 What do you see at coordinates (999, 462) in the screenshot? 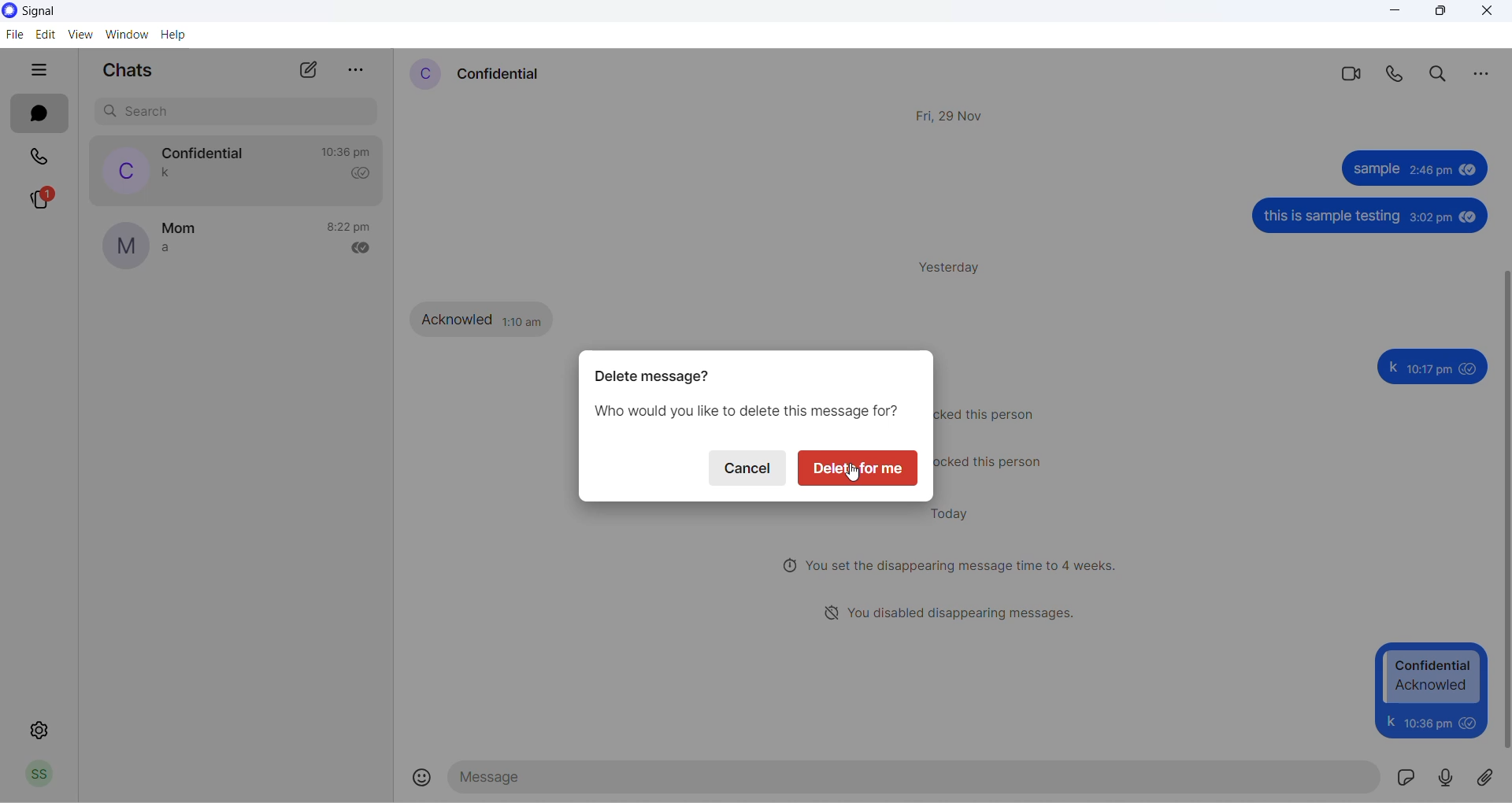
I see `unblocked contact message` at bounding box center [999, 462].